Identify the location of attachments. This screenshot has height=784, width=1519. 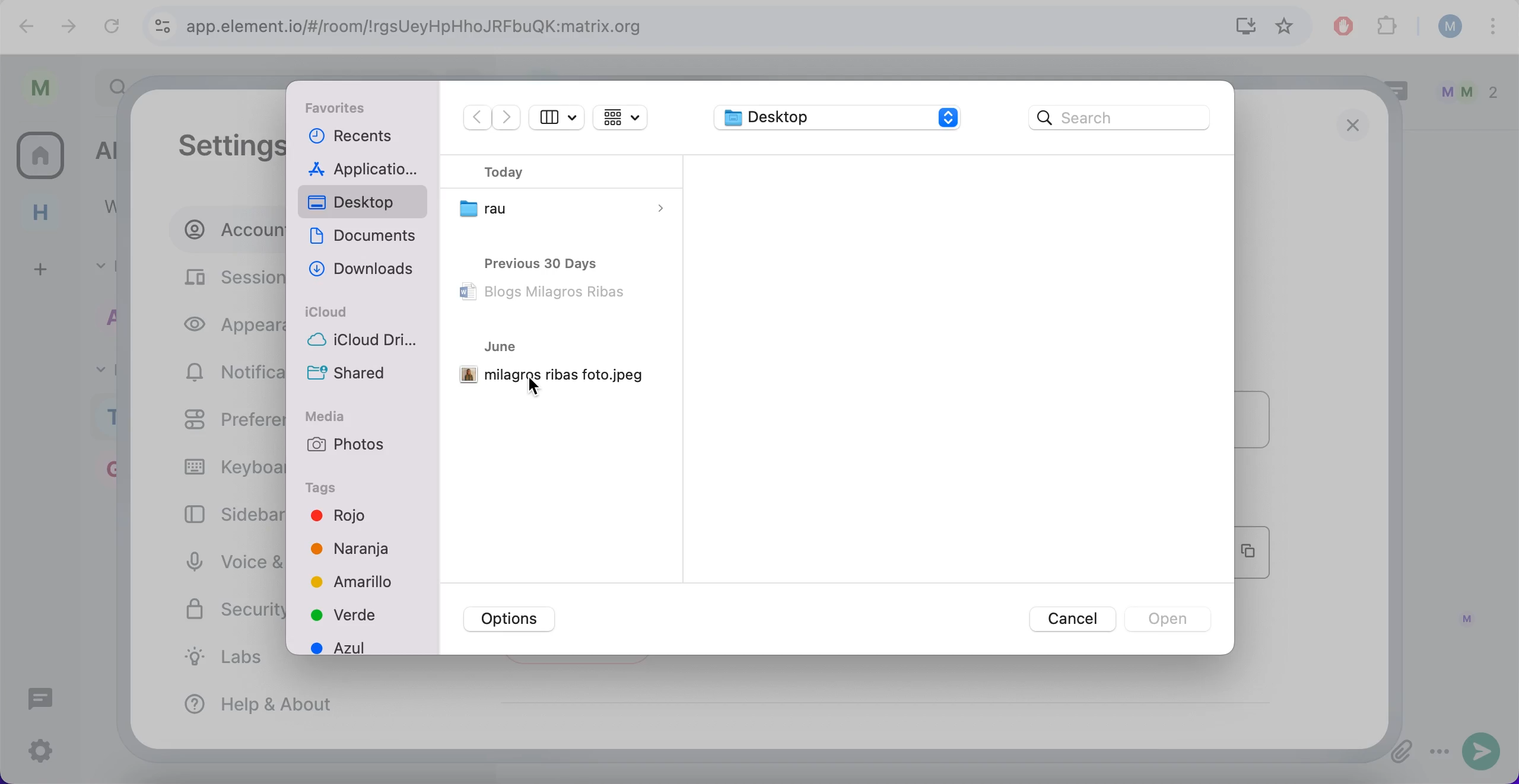
(1401, 753).